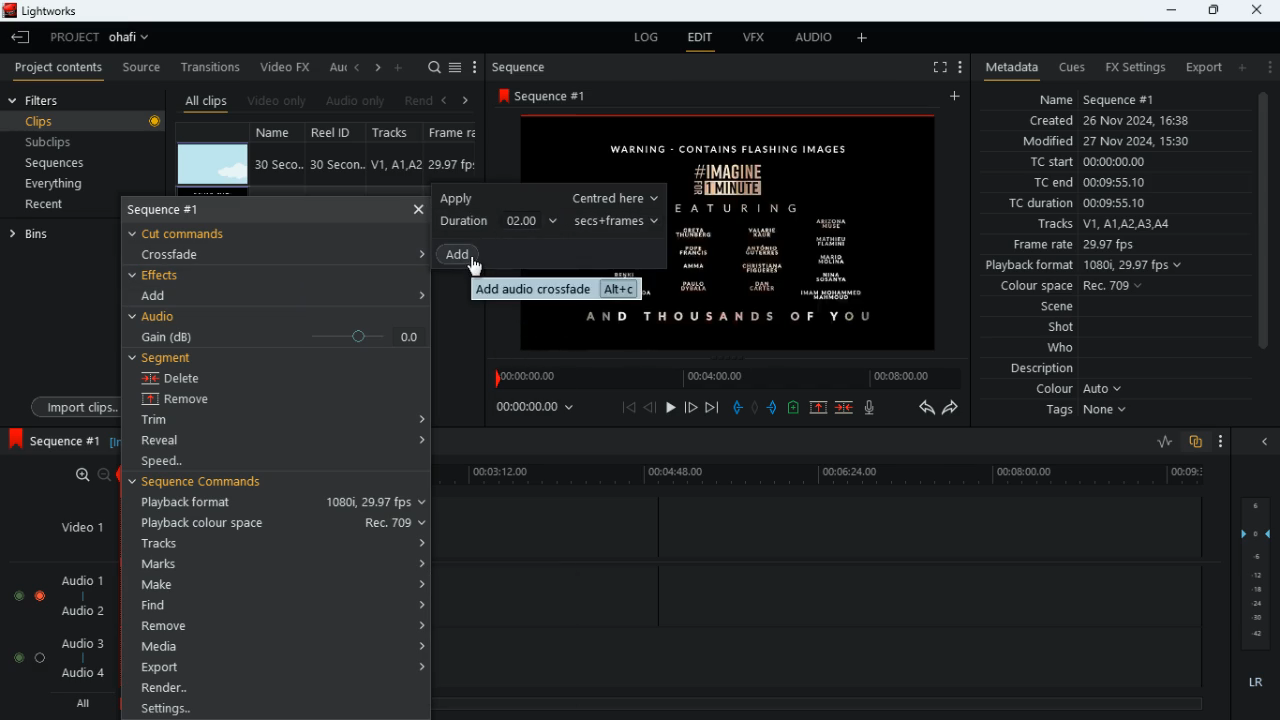 The image size is (1280, 720). I want to click on scroll, so click(1262, 231).